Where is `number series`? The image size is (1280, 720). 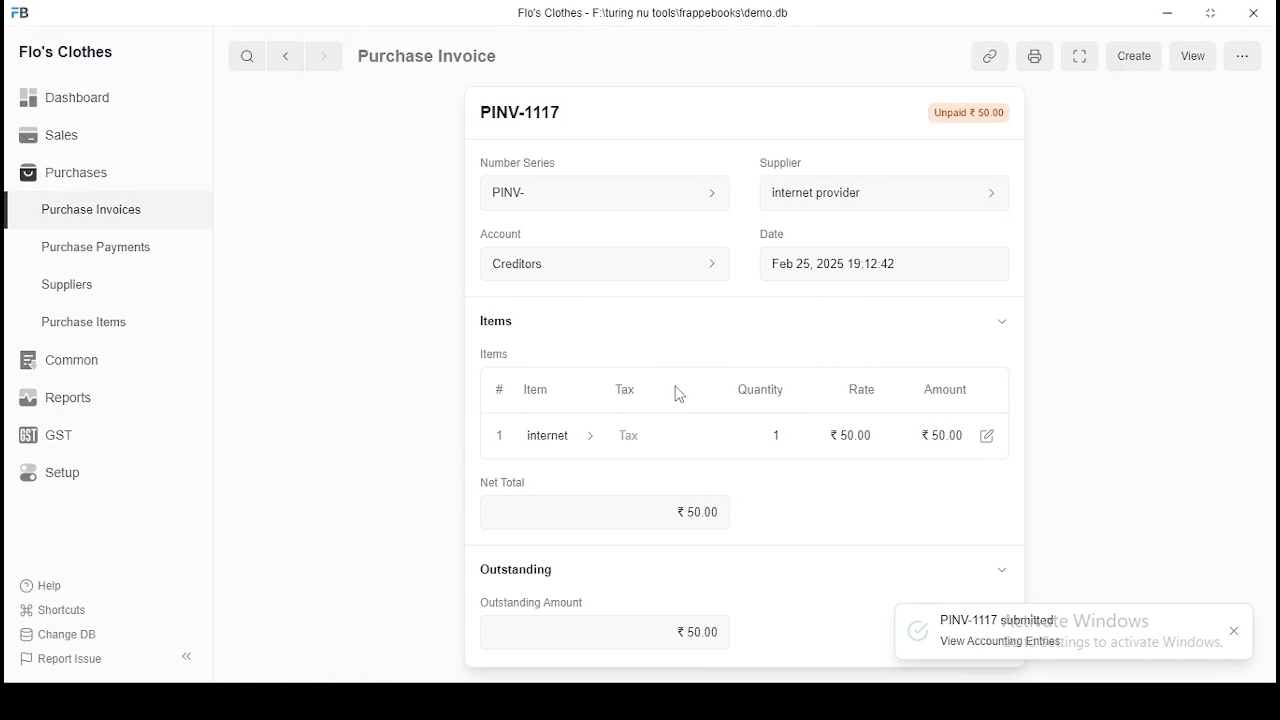 number series is located at coordinates (519, 162).